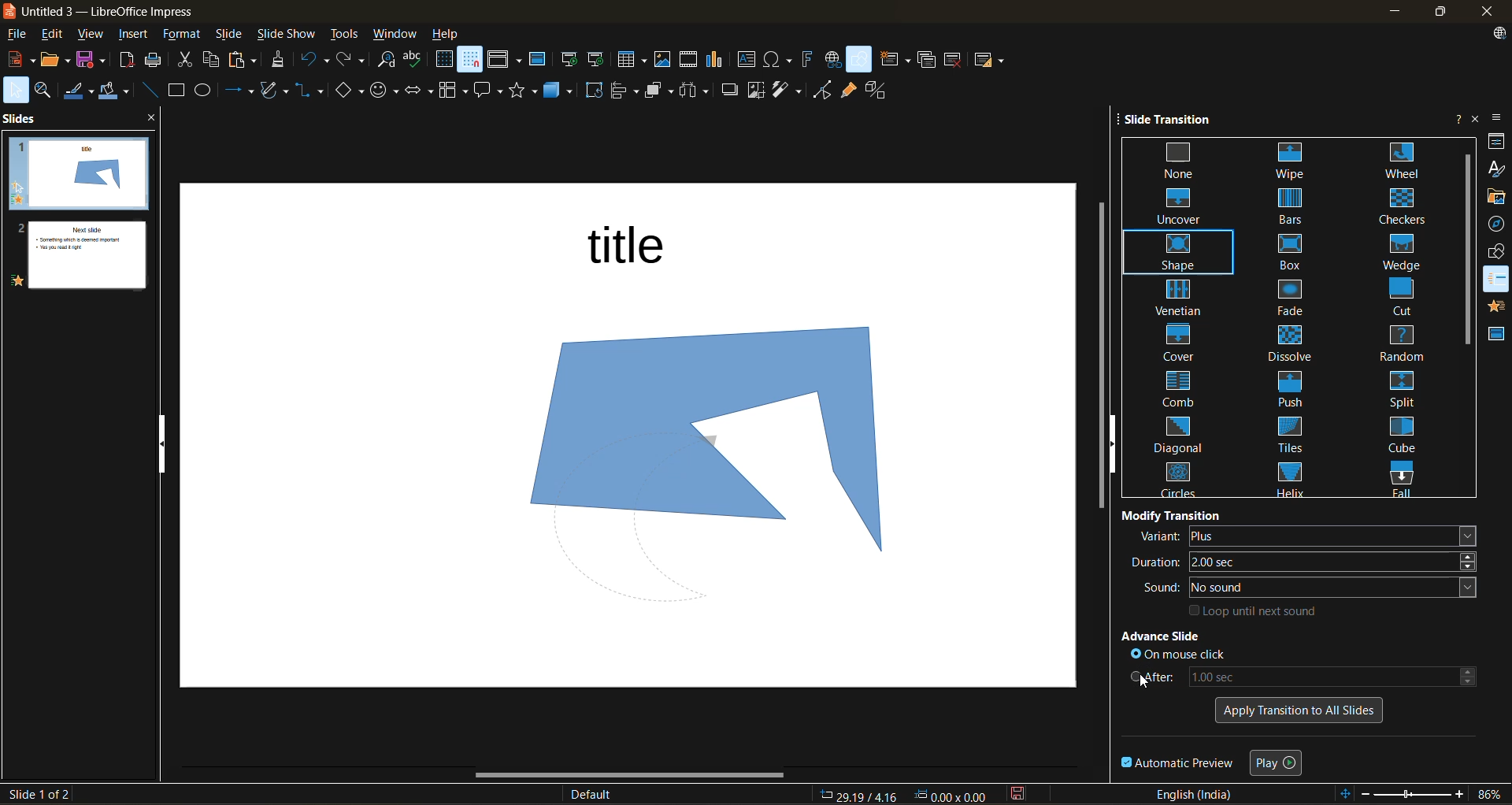  I want to click on file name and app name, so click(113, 12).